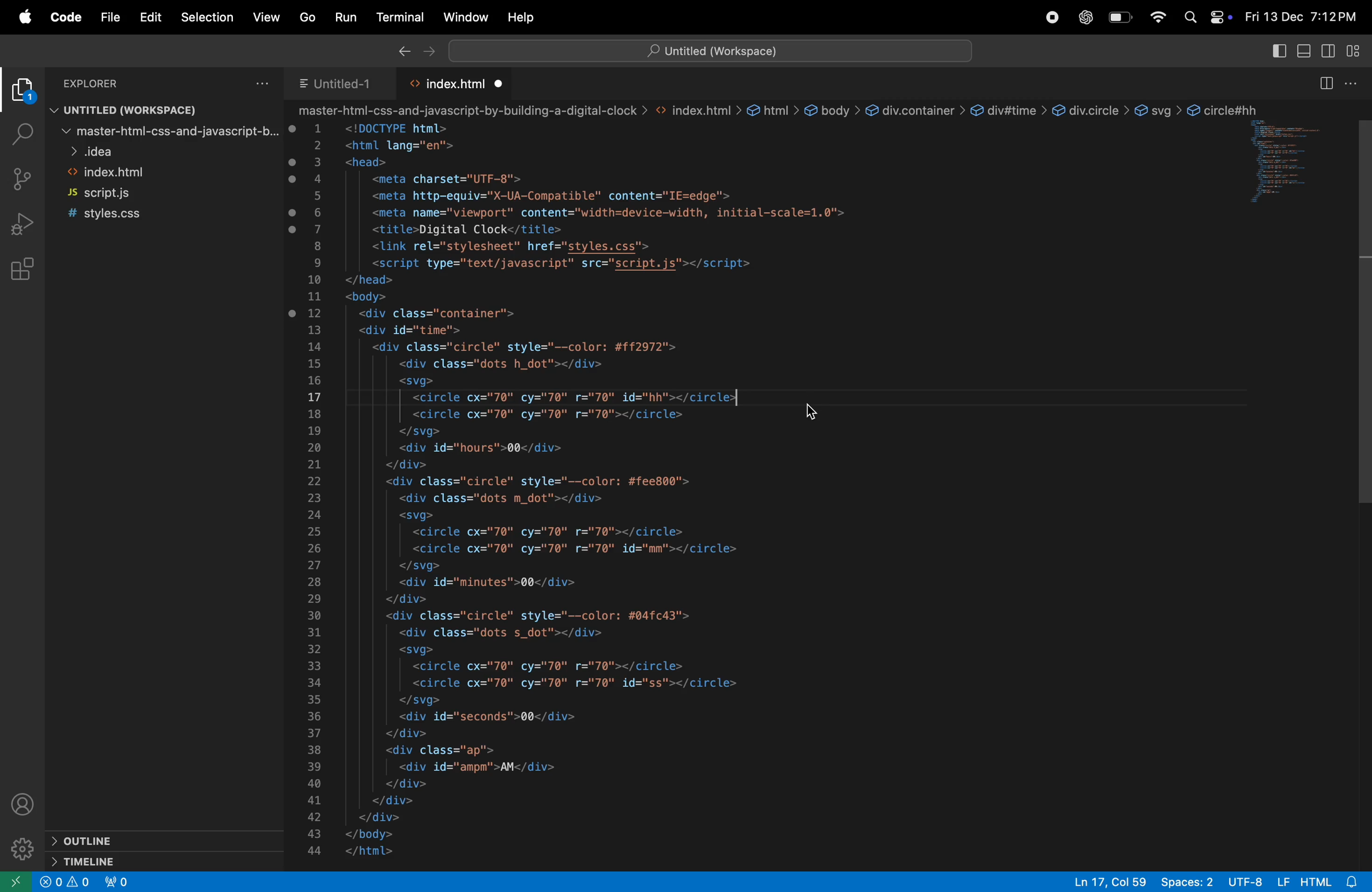 This screenshot has width=1372, height=892. Describe the element at coordinates (151, 16) in the screenshot. I see `edit` at that location.